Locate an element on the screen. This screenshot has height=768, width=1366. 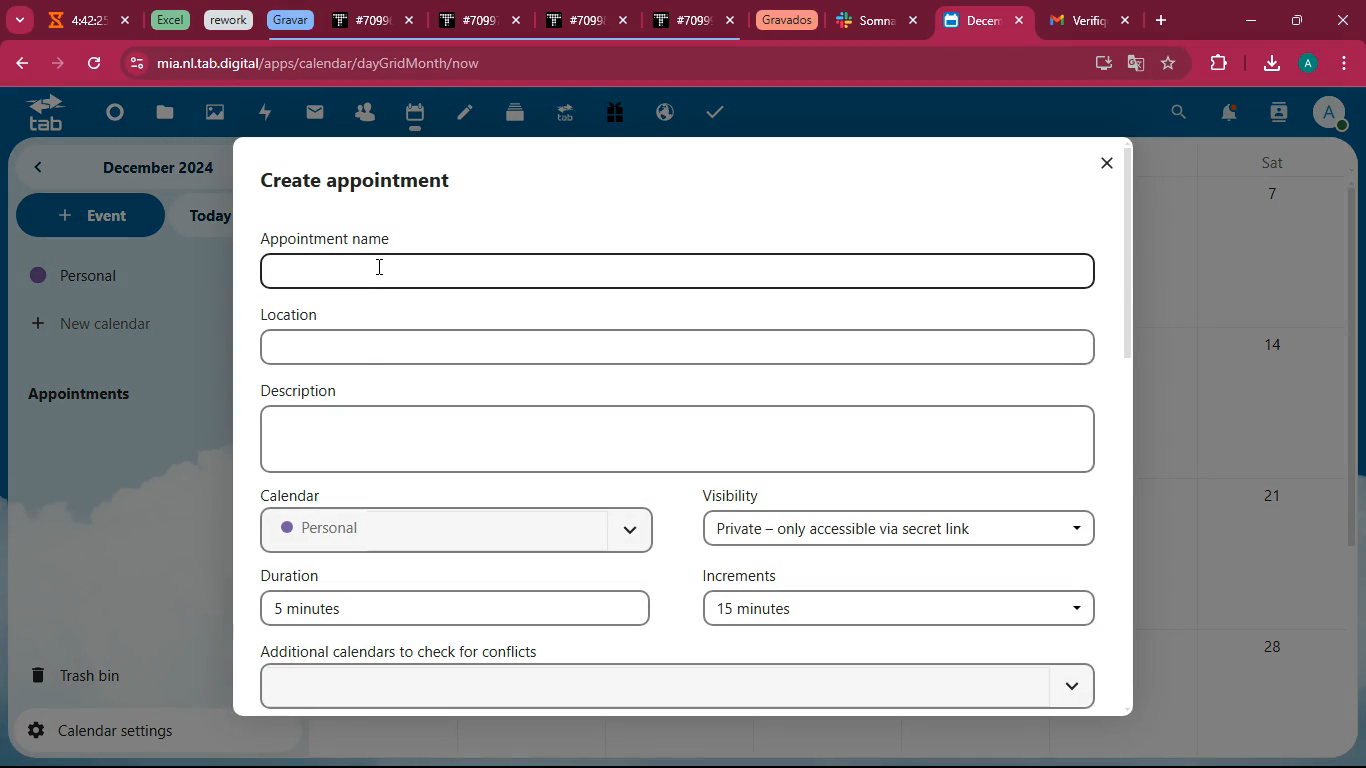
image is located at coordinates (216, 115).